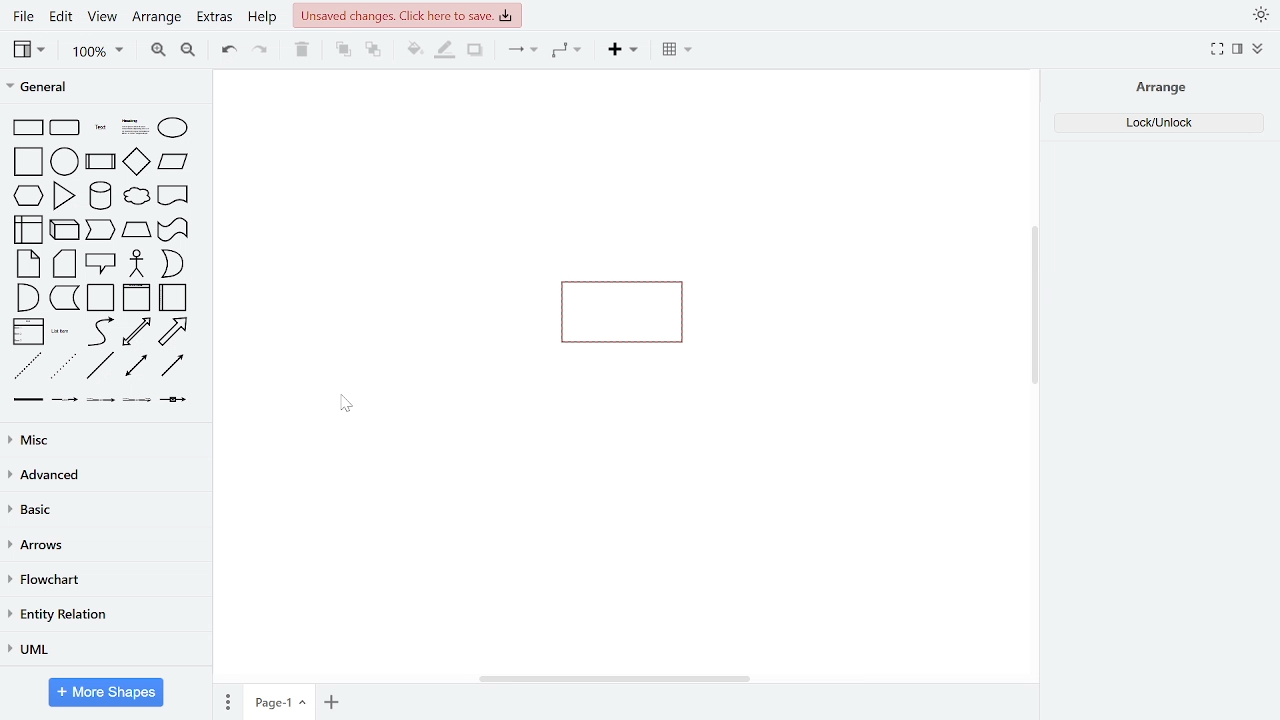 This screenshot has height=720, width=1280. Describe the element at coordinates (103, 581) in the screenshot. I see `flowchart` at that location.